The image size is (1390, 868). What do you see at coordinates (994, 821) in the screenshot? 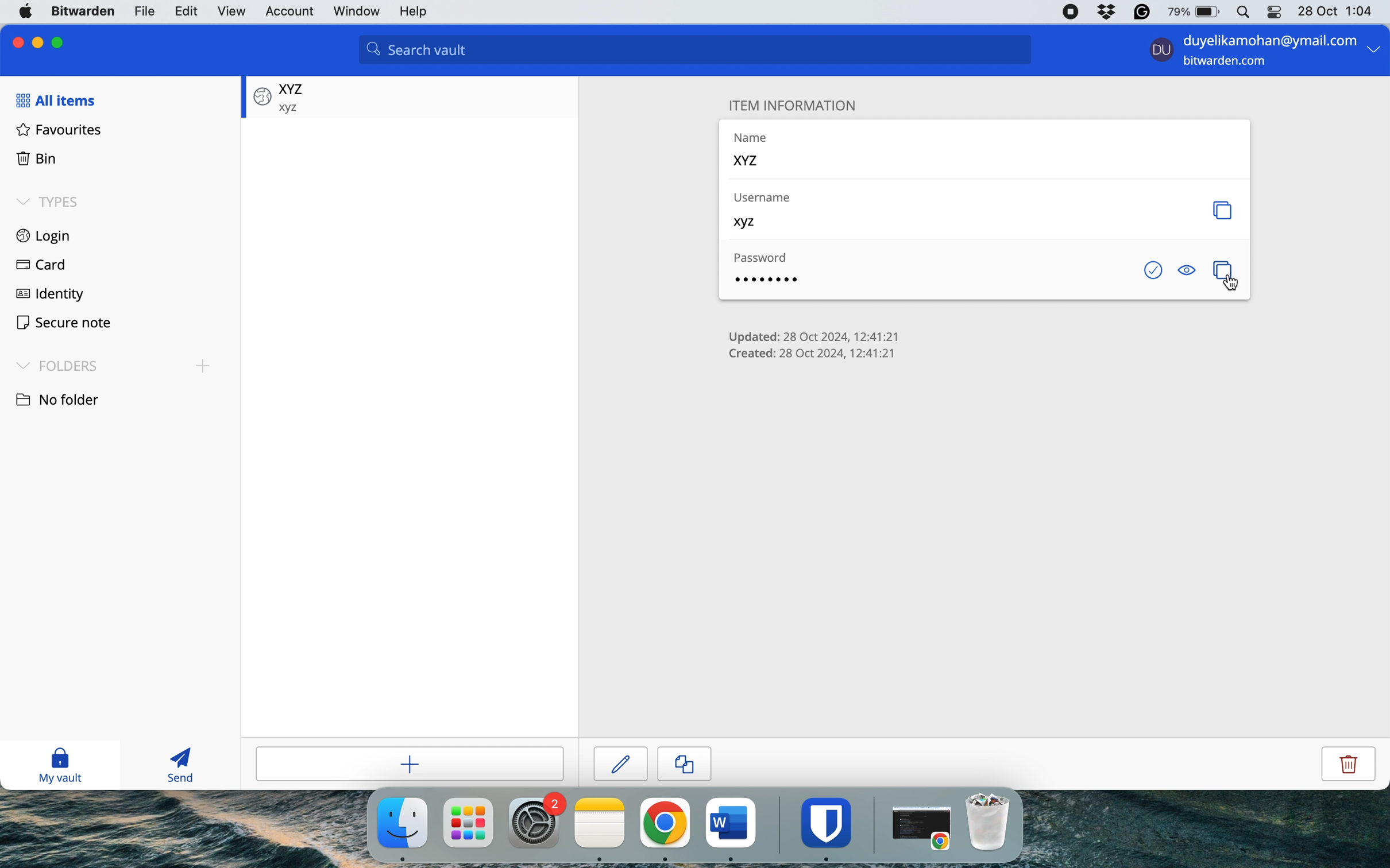
I see `bin` at bounding box center [994, 821].